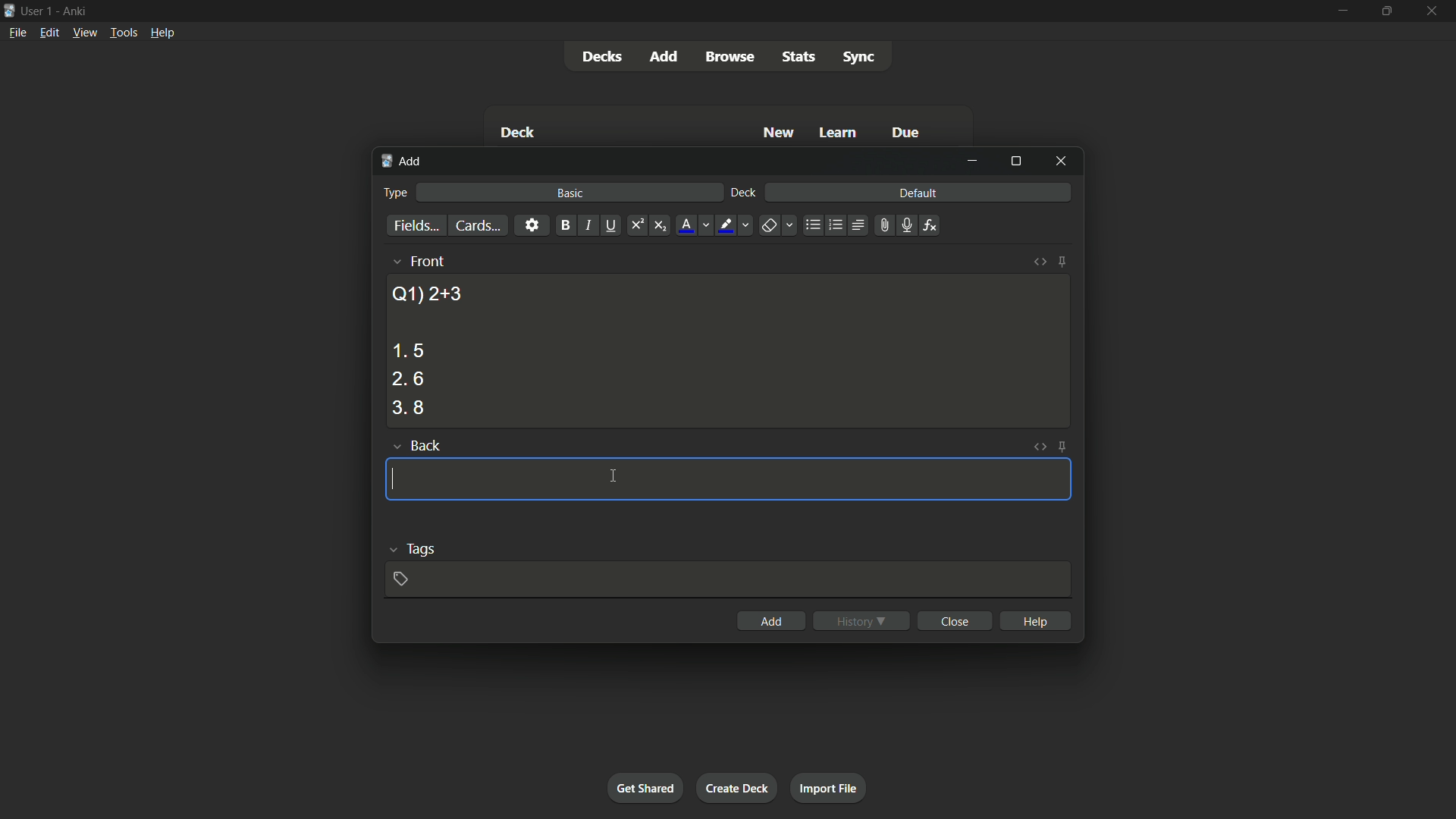 The image size is (1456, 819). What do you see at coordinates (416, 227) in the screenshot?
I see `fields` at bounding box center [416, 227].